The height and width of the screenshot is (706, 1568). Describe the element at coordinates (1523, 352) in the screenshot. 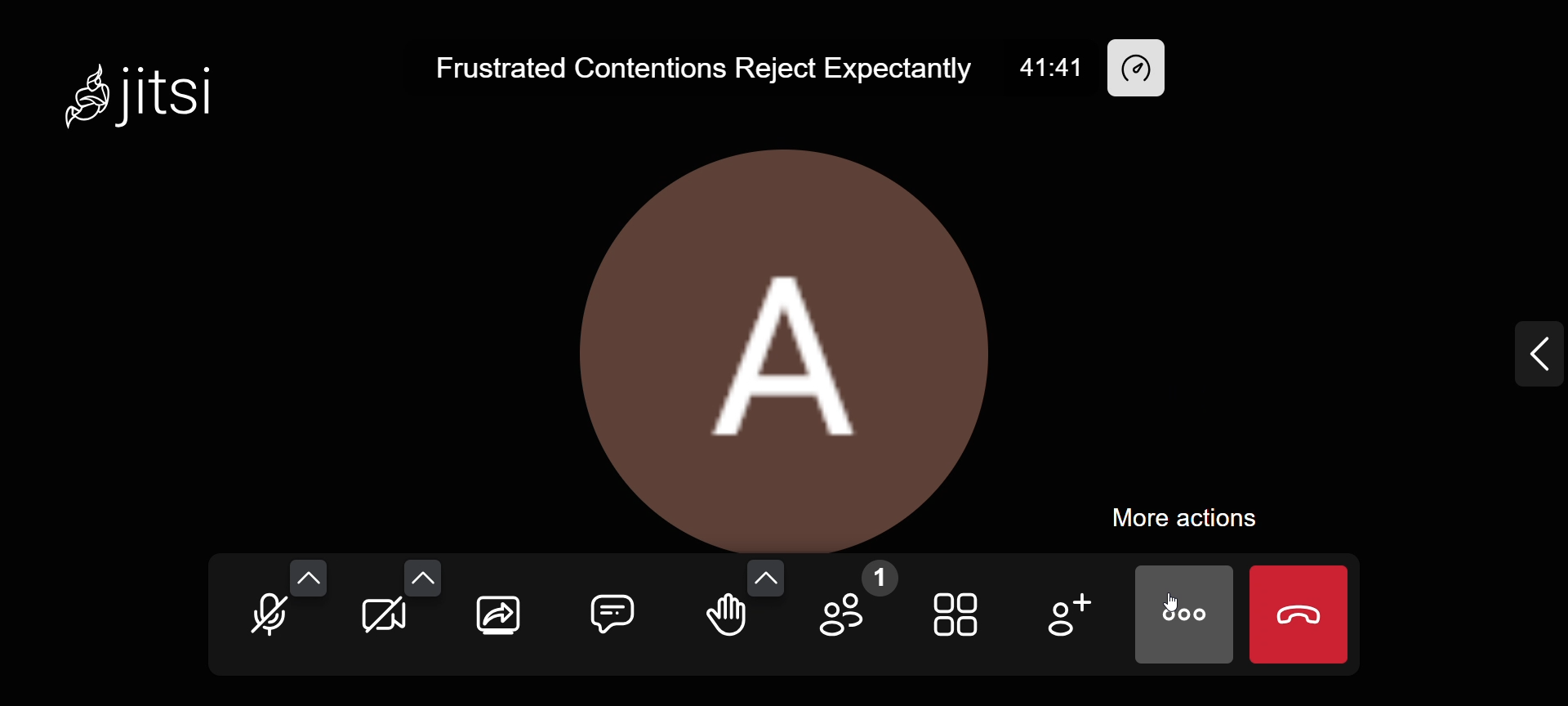

I see `expand` at that location.